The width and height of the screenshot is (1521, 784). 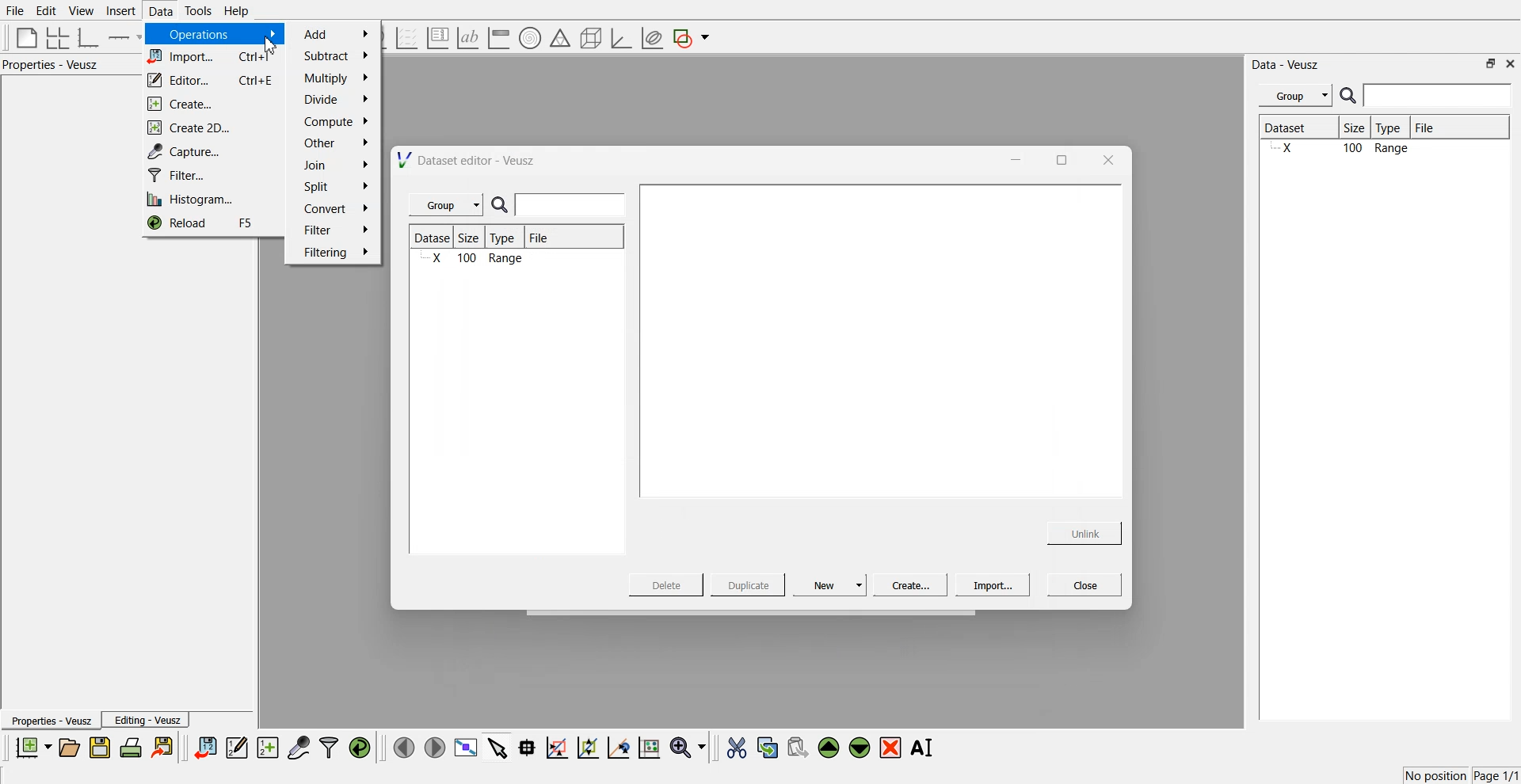 What do you see at coordinates (147, 720) in the screenshot?
I see `Editing - Veusz` at bounding box center [147, 720].